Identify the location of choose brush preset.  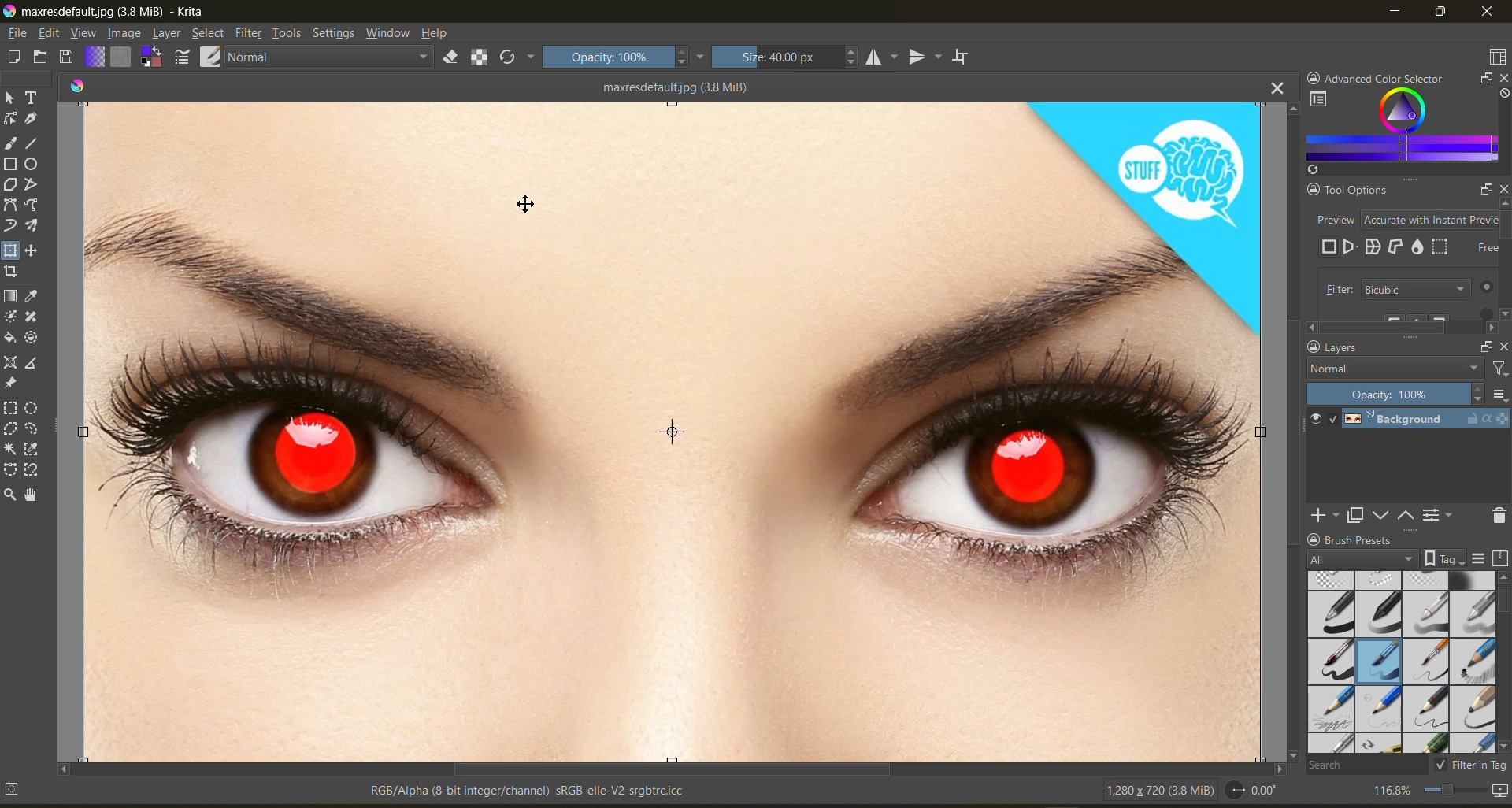
(213, 55).